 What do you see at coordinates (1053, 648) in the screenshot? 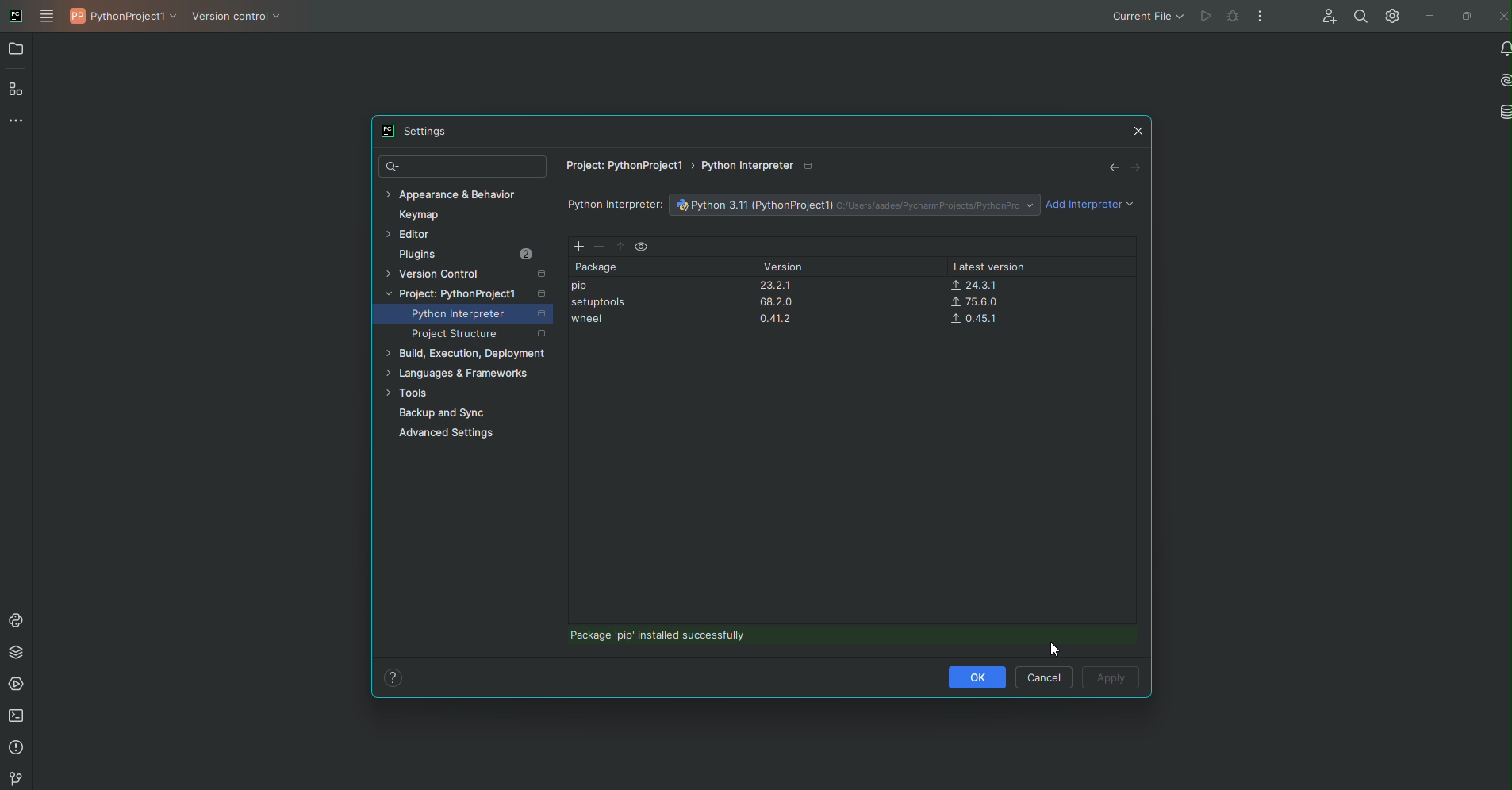
I see `Cursor` at bounding box center [1053, 648].